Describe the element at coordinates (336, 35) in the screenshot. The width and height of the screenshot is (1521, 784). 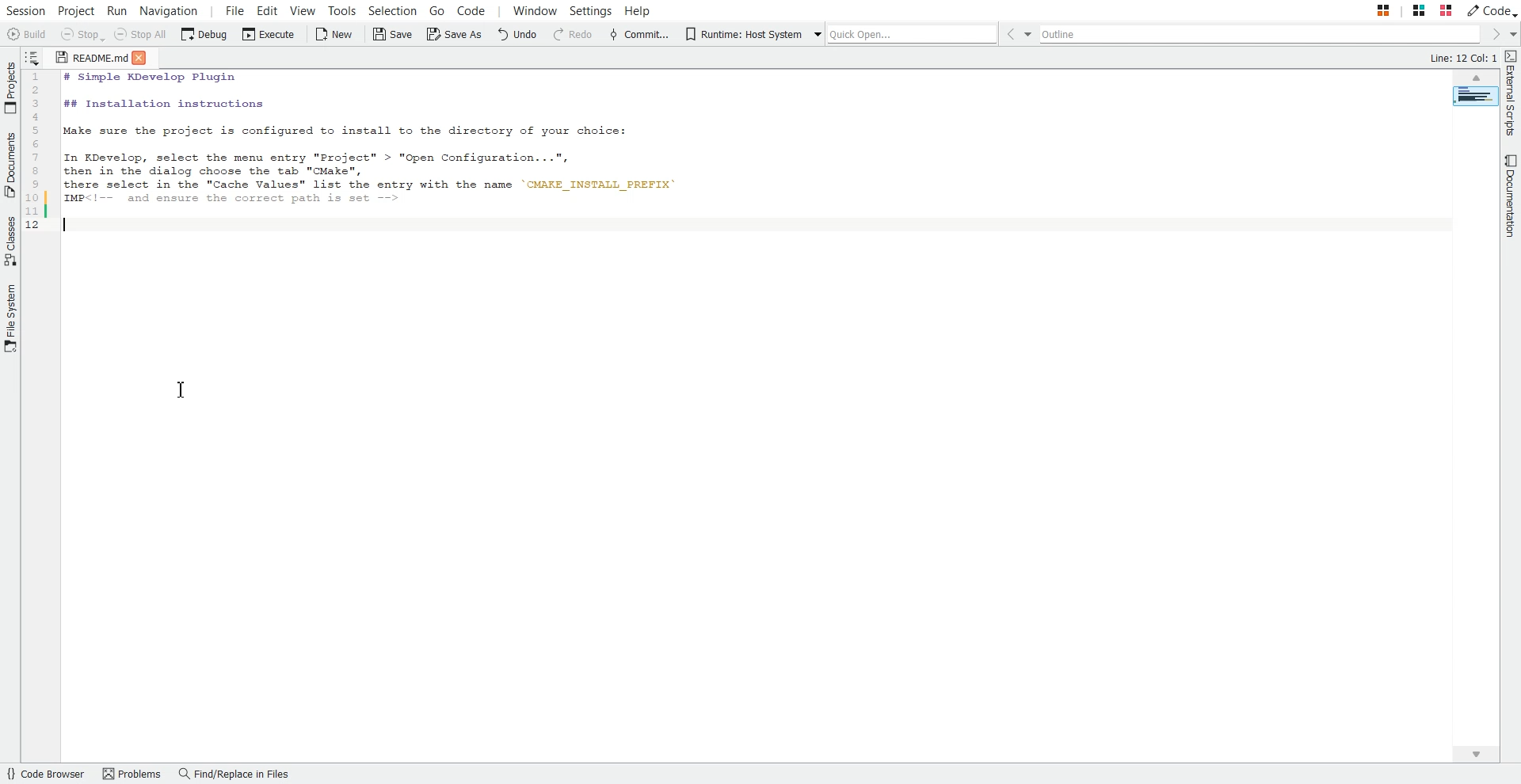
I see `New` at that location.